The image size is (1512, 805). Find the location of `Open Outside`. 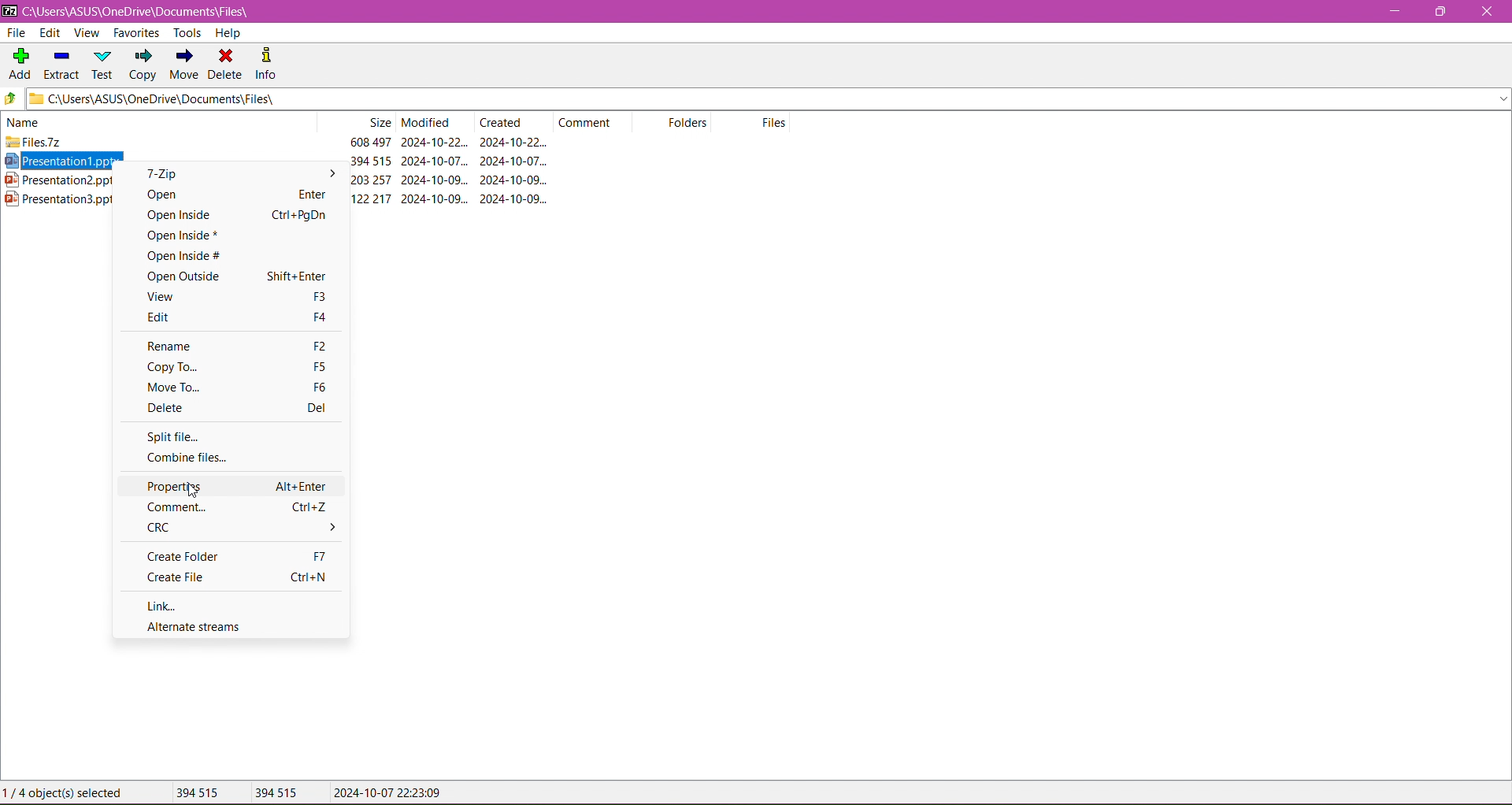

Open Outside is located at coordinates (237, 276).